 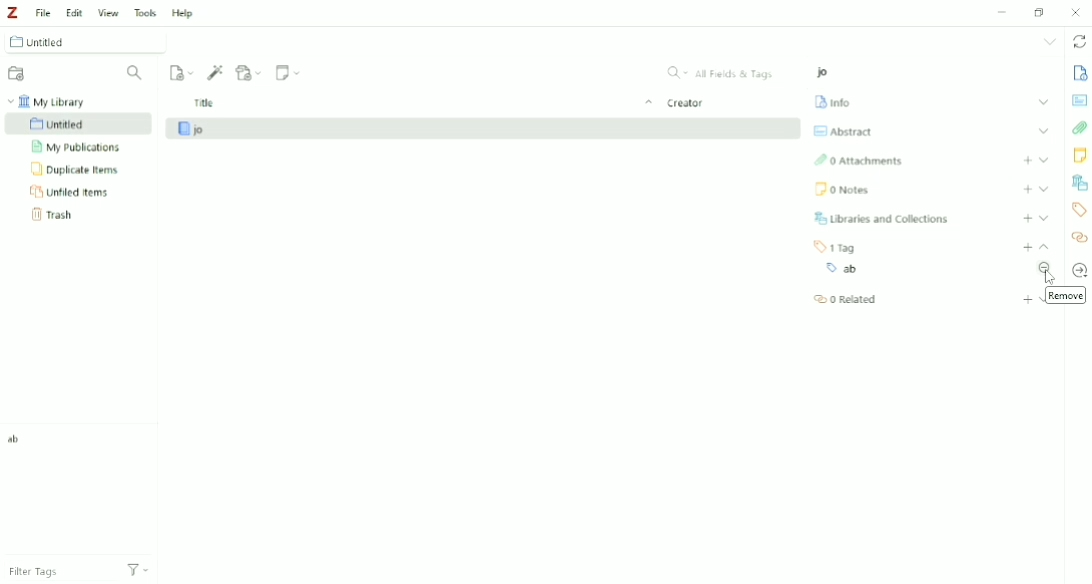 What do you see at coordinates (55, 215) in the screenshot?
I see `Trash` at bounding box center [55, 215].